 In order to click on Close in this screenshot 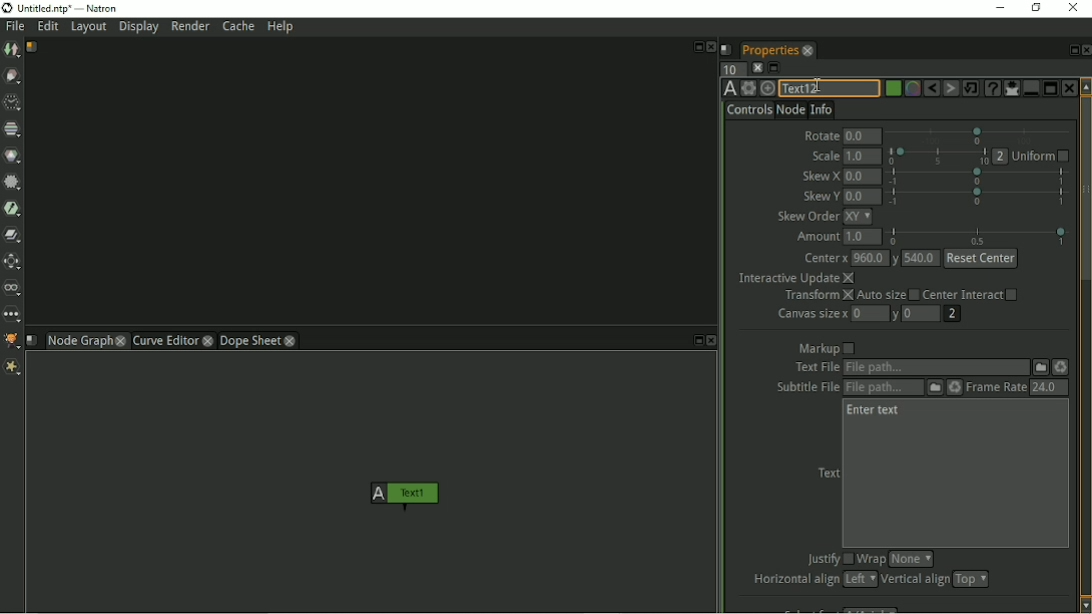, I will do `click(1068, 88)`.